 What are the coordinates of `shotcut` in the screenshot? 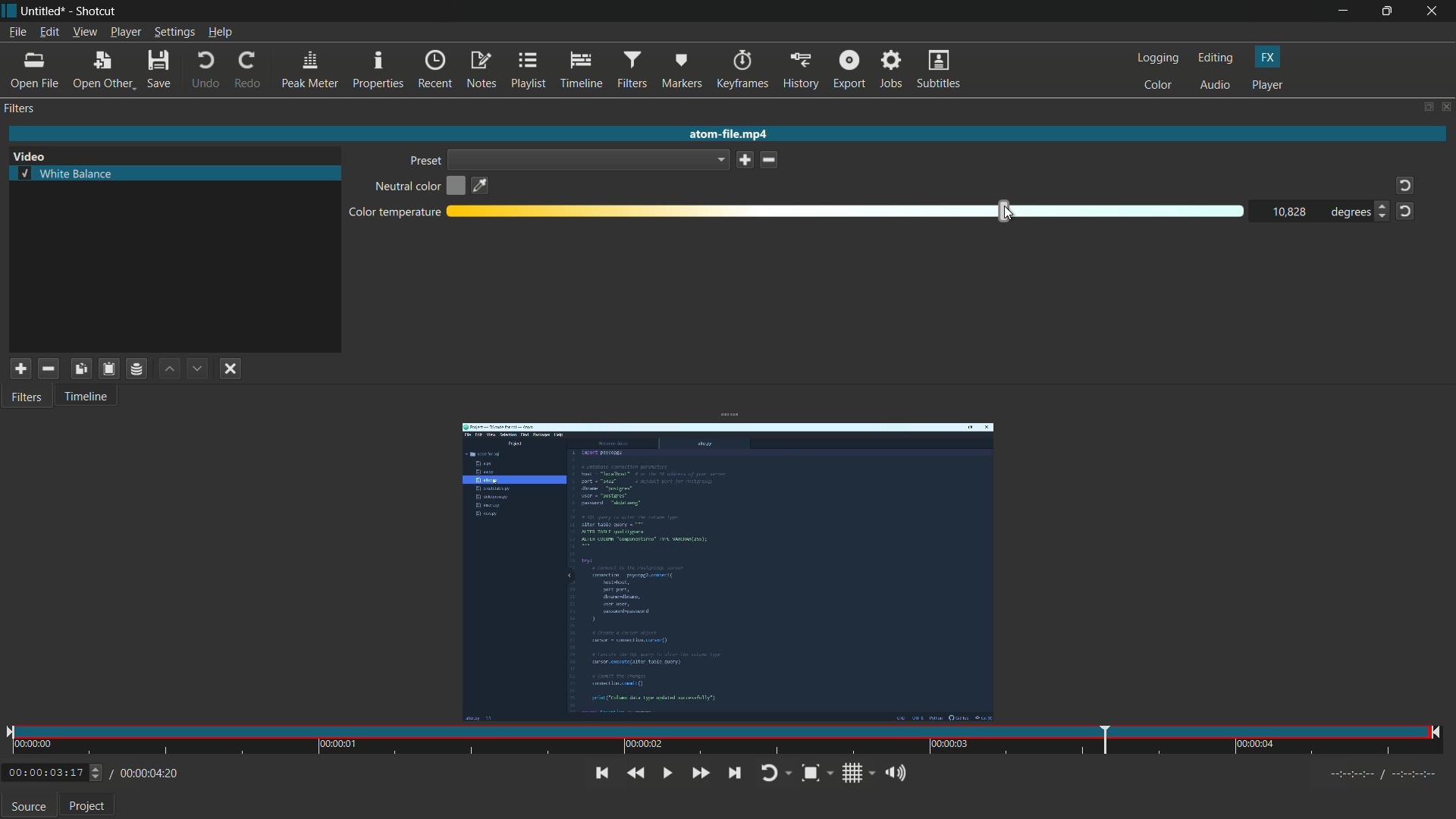 It's located at (97, 11).